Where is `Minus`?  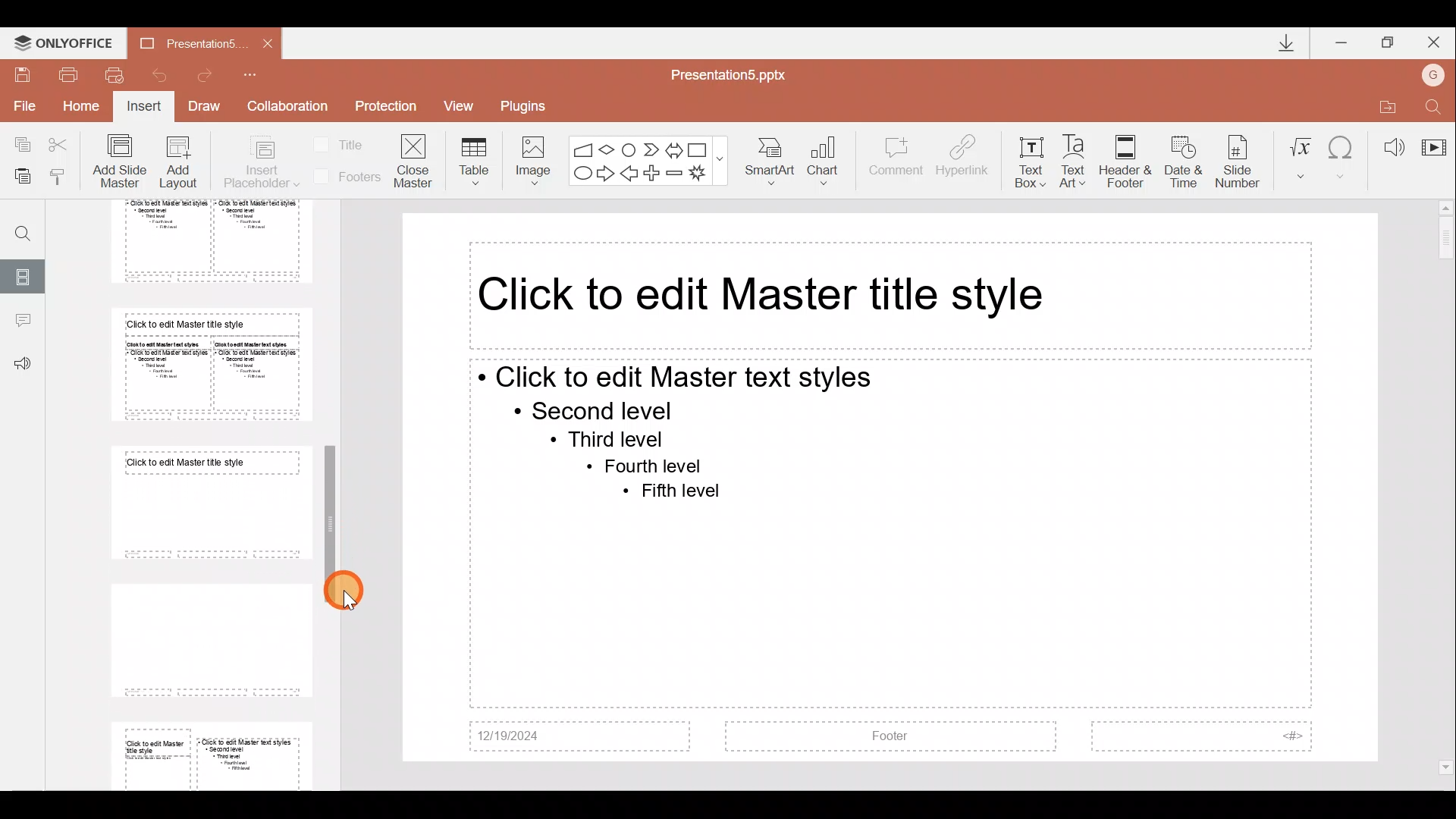
Minus is located at coordinates (675, 173).